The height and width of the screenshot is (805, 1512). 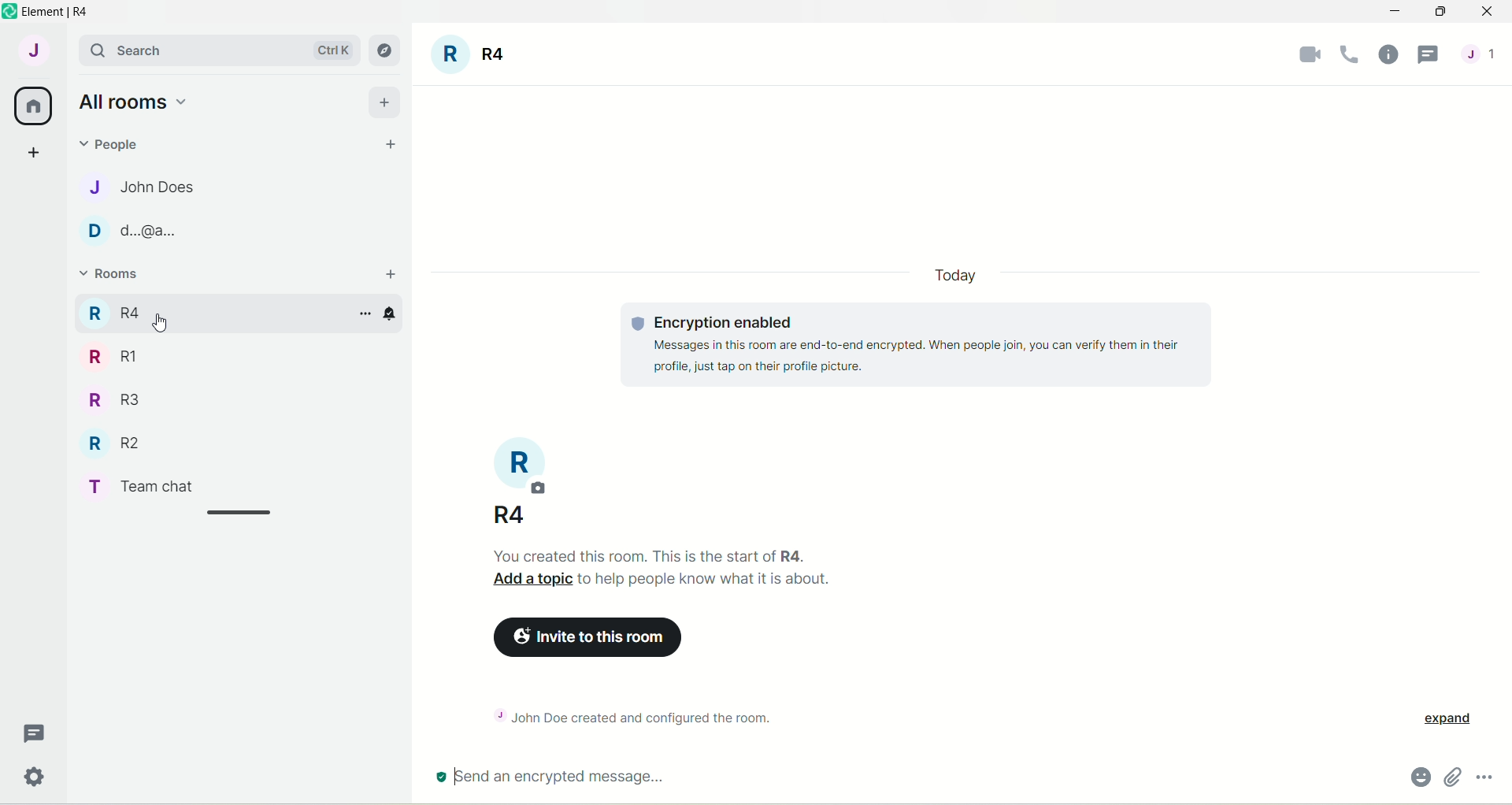 I want to click on R RI, so click(x=113, y=356).